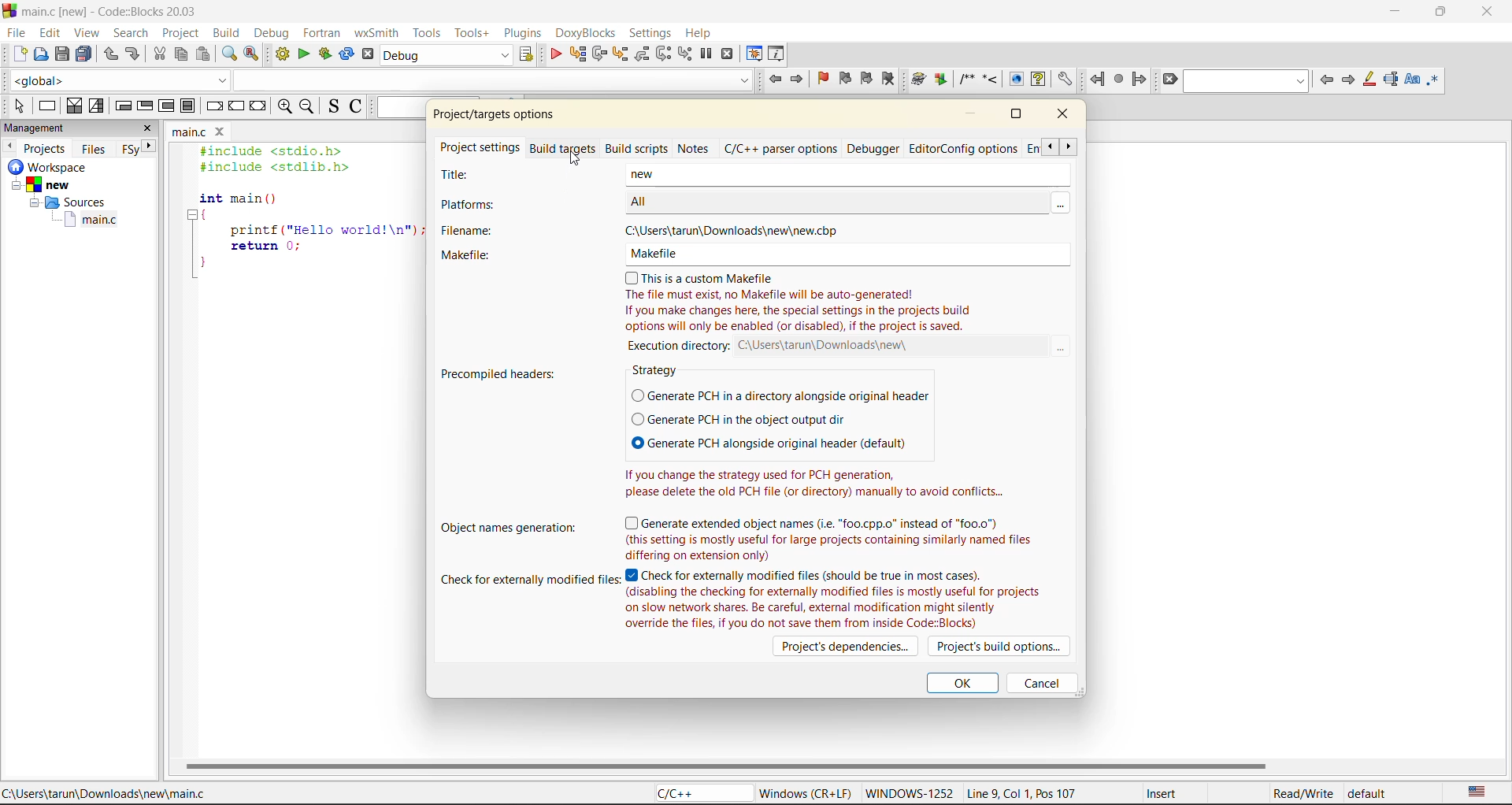 This screenshot has height=805, width=1512. Describe the element at coordinates (957, 683) in the screenshot. I see `ok` at that location.